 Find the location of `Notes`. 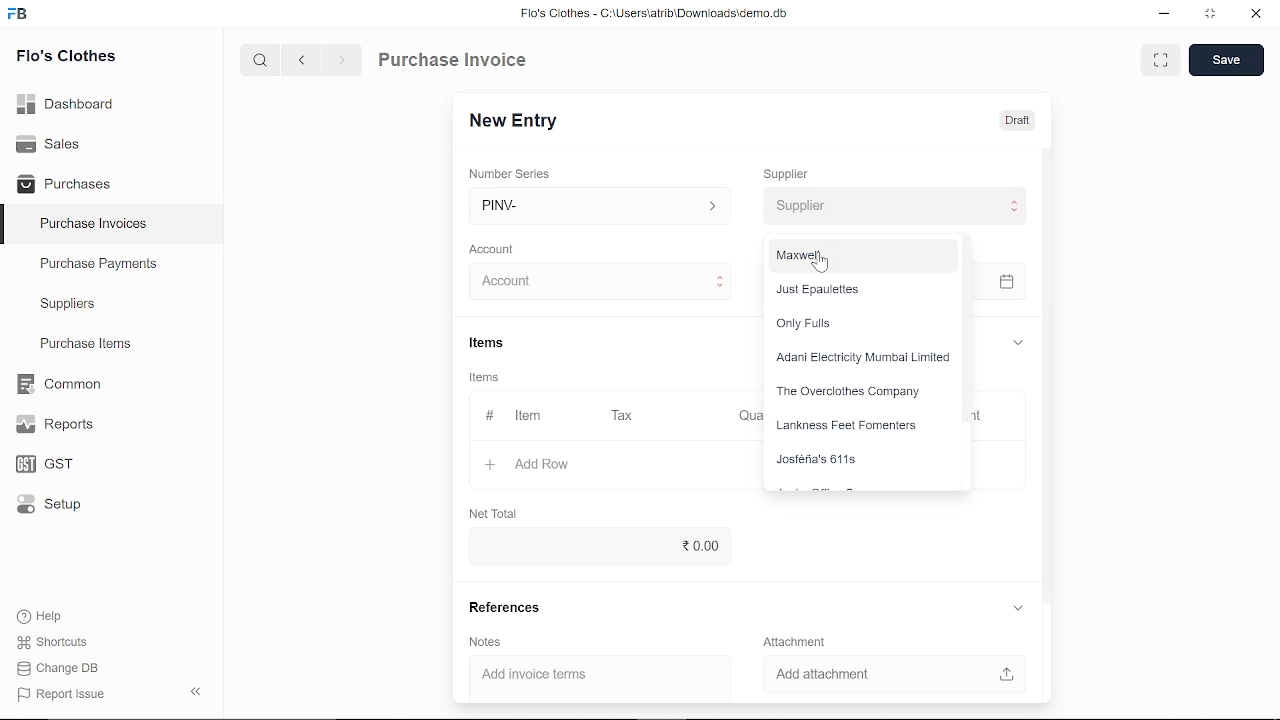

Notes is located at coordinates (487, 643).